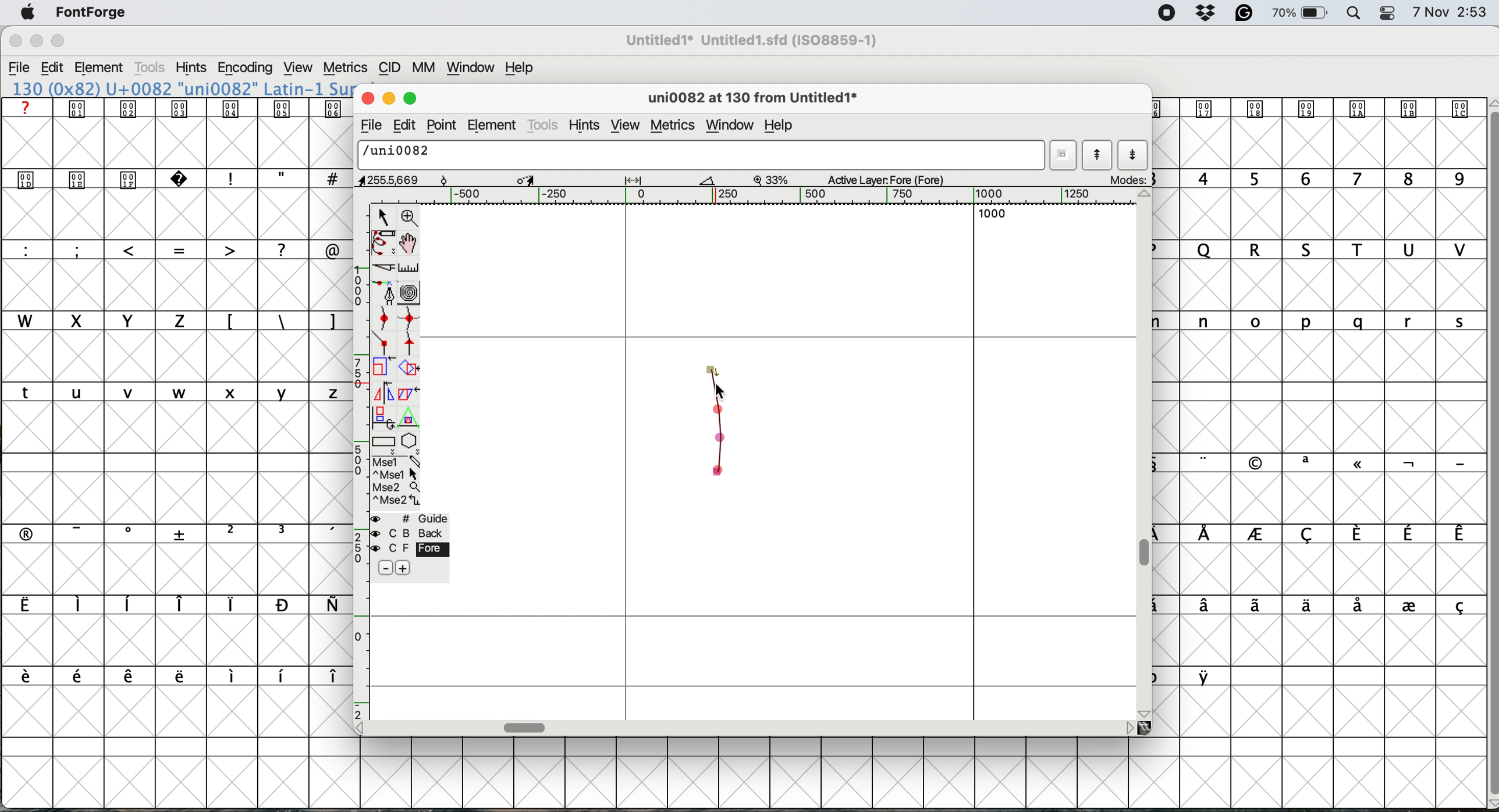 The width and height of the screenshot is (1499, 812). I want to click on rotate selection in 3d then project back to plane, so click(384, 418).